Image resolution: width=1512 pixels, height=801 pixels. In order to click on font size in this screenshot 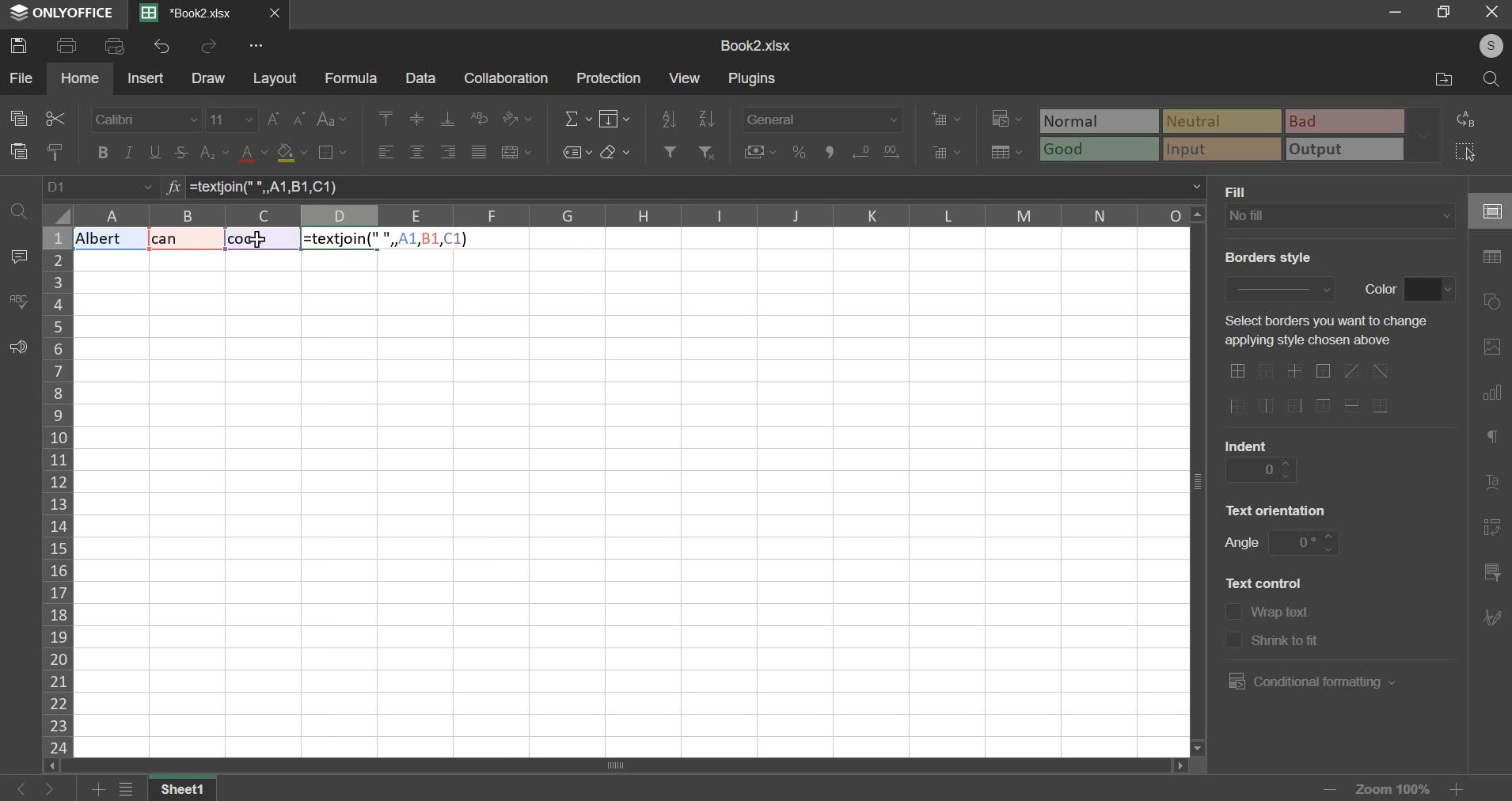, I will do `click(232, 119)`.